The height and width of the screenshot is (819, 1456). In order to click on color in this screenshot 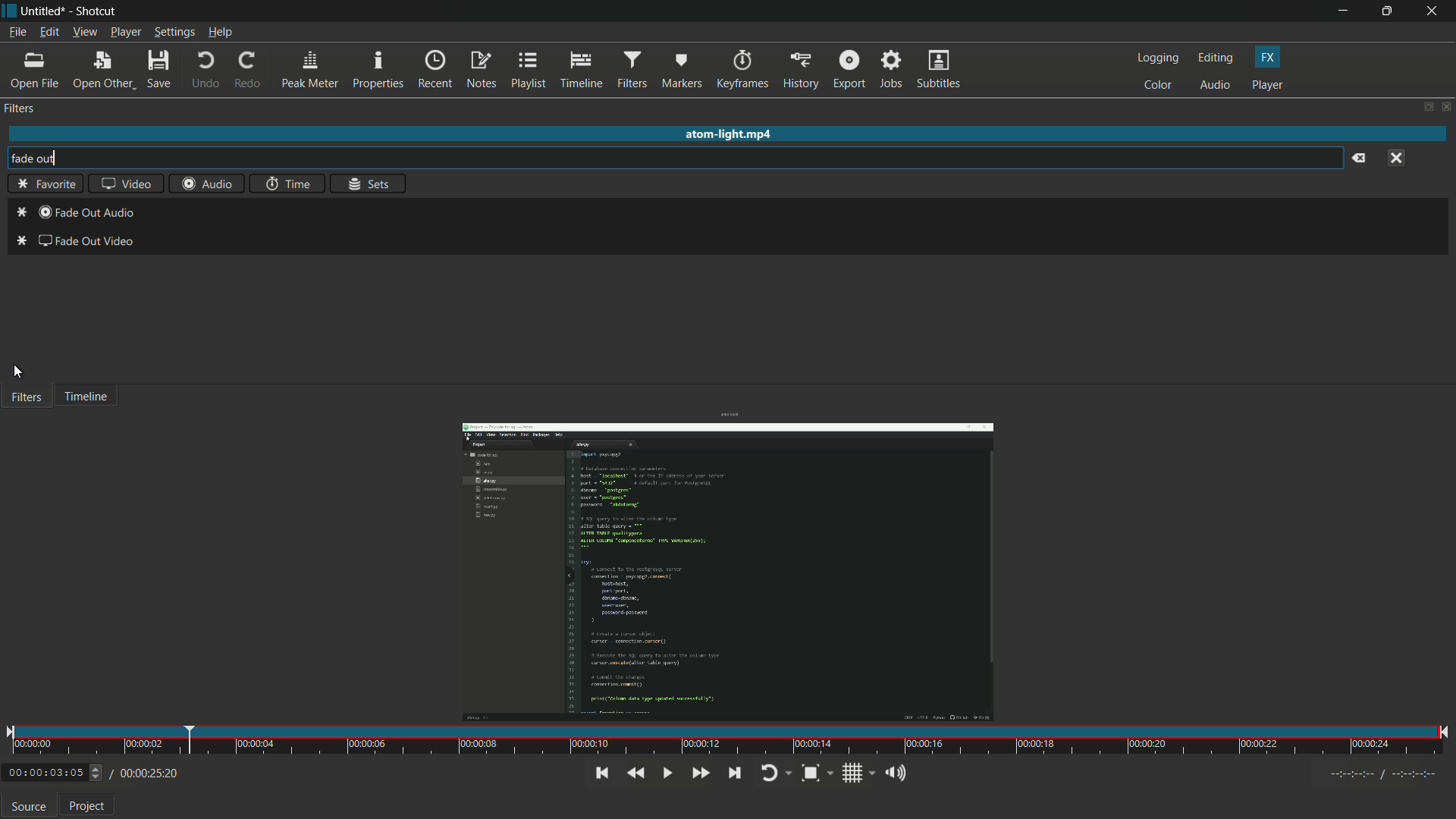, I will do `click(1157, 85)`.